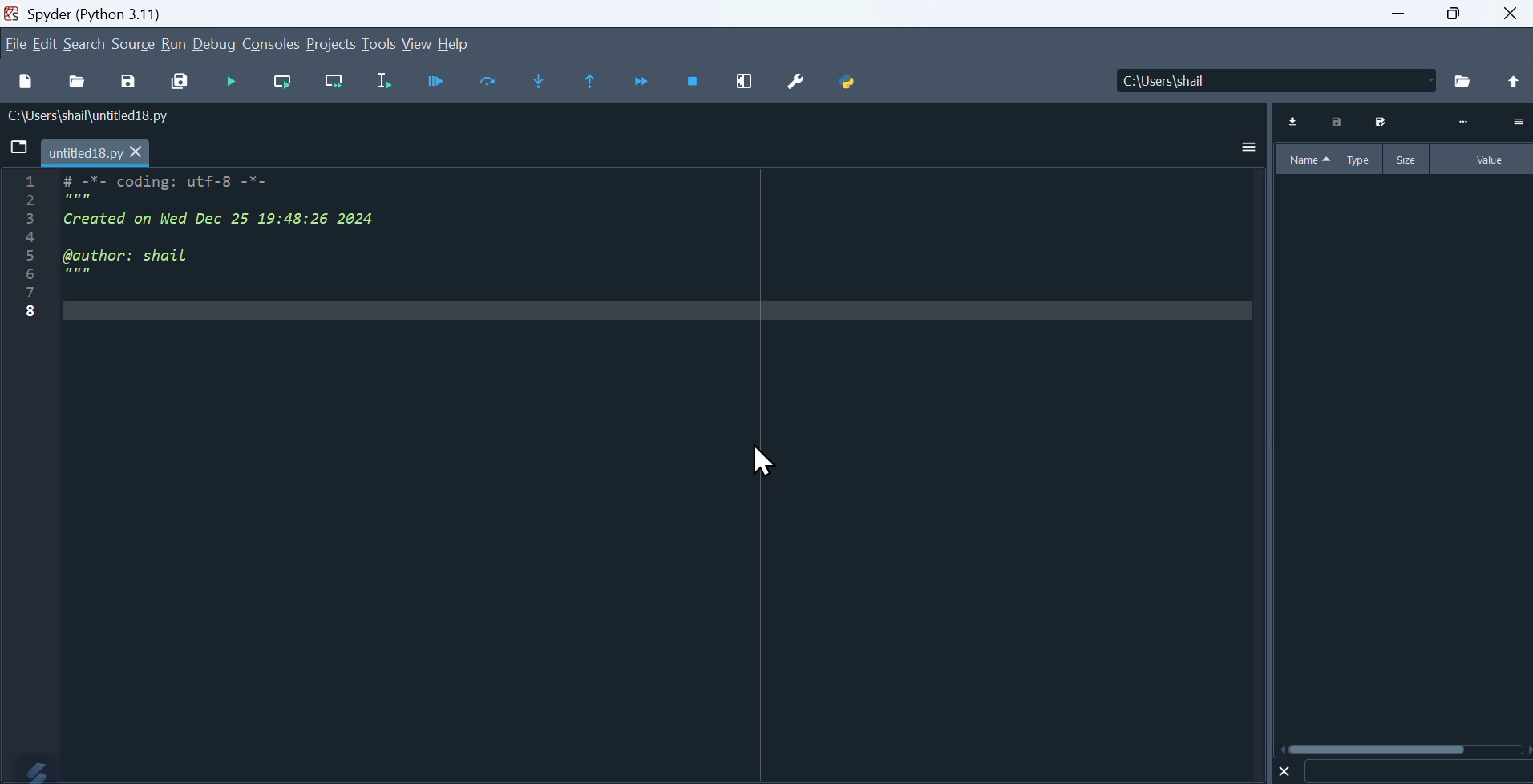 The height and width of the screenshot is (784, 1533). I want to click on Maximize, so click(1454, 14).